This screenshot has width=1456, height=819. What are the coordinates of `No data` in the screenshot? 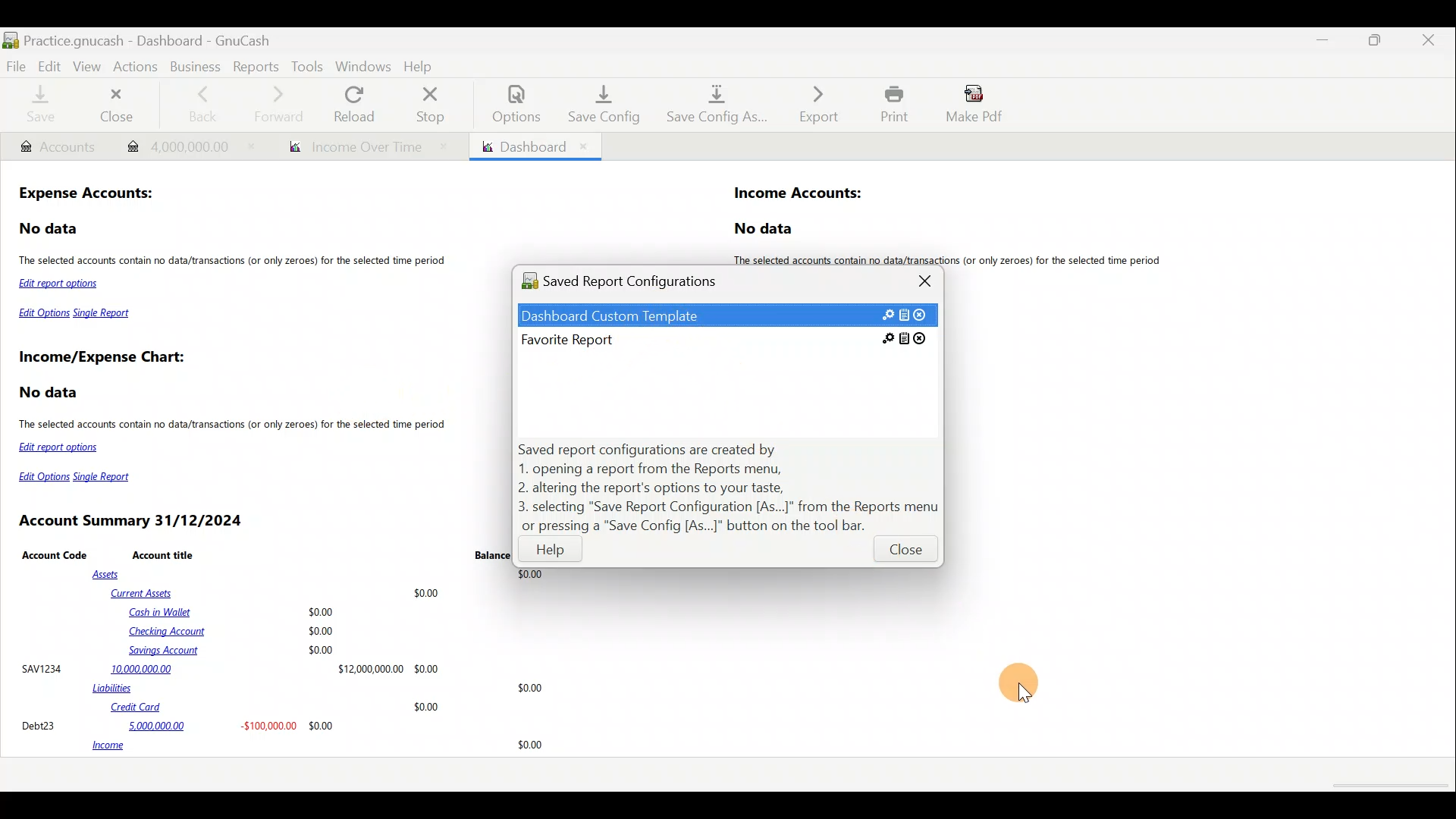 It's located at (766, 229).